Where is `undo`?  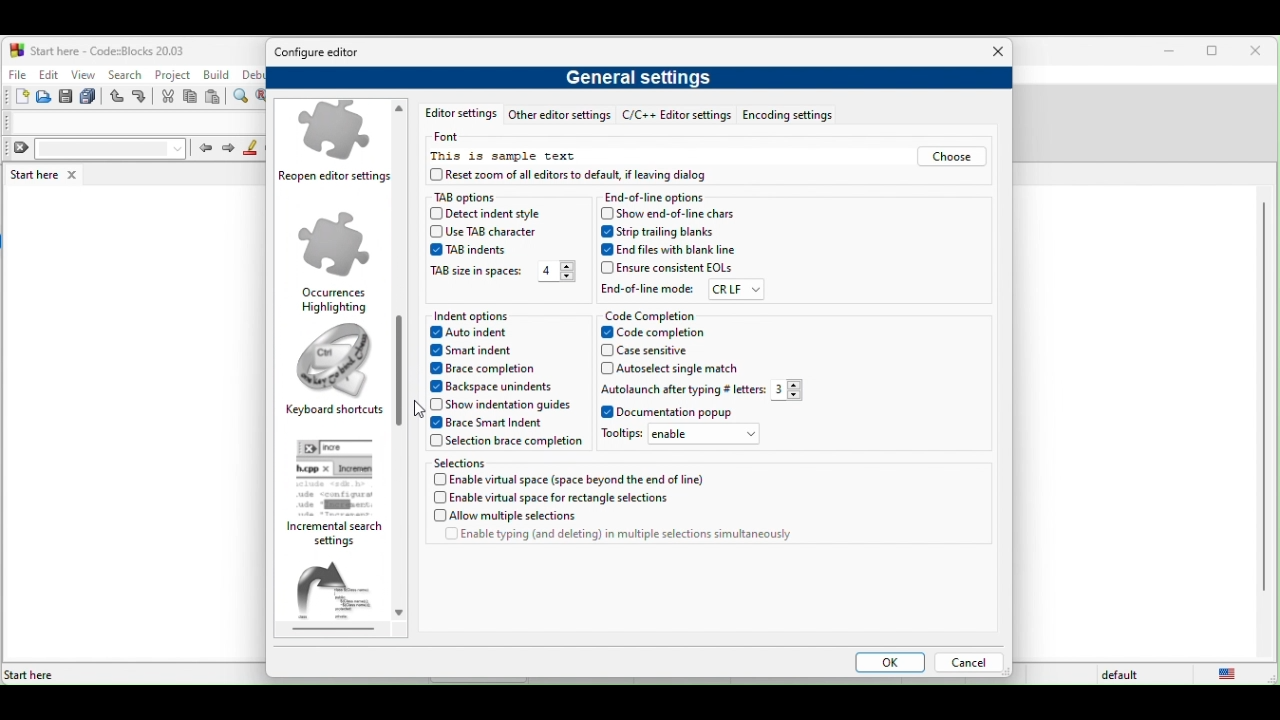 undo is located at coordinates (118, 97).